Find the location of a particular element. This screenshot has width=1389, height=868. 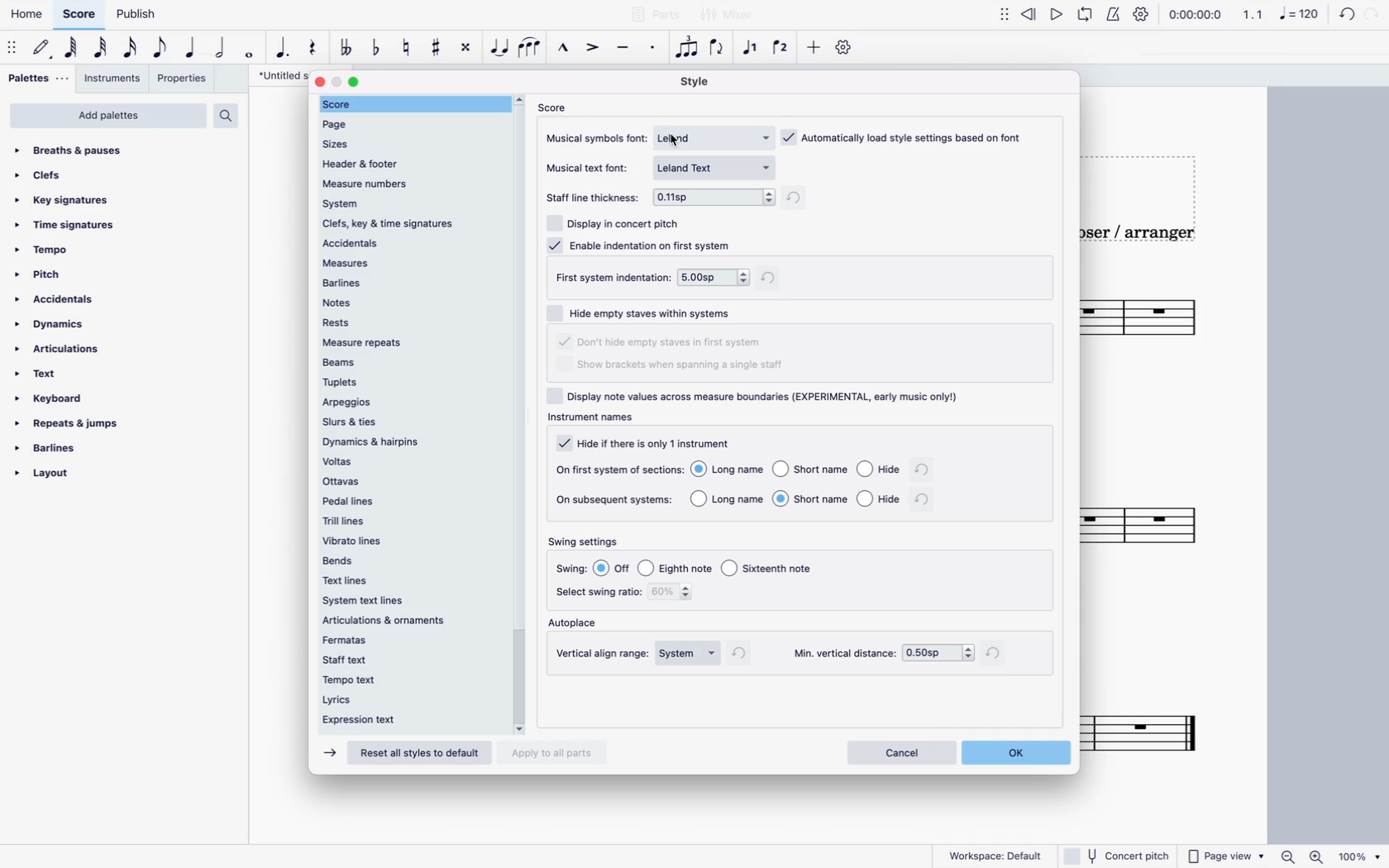

marcato is located at coordinates (563, 50).